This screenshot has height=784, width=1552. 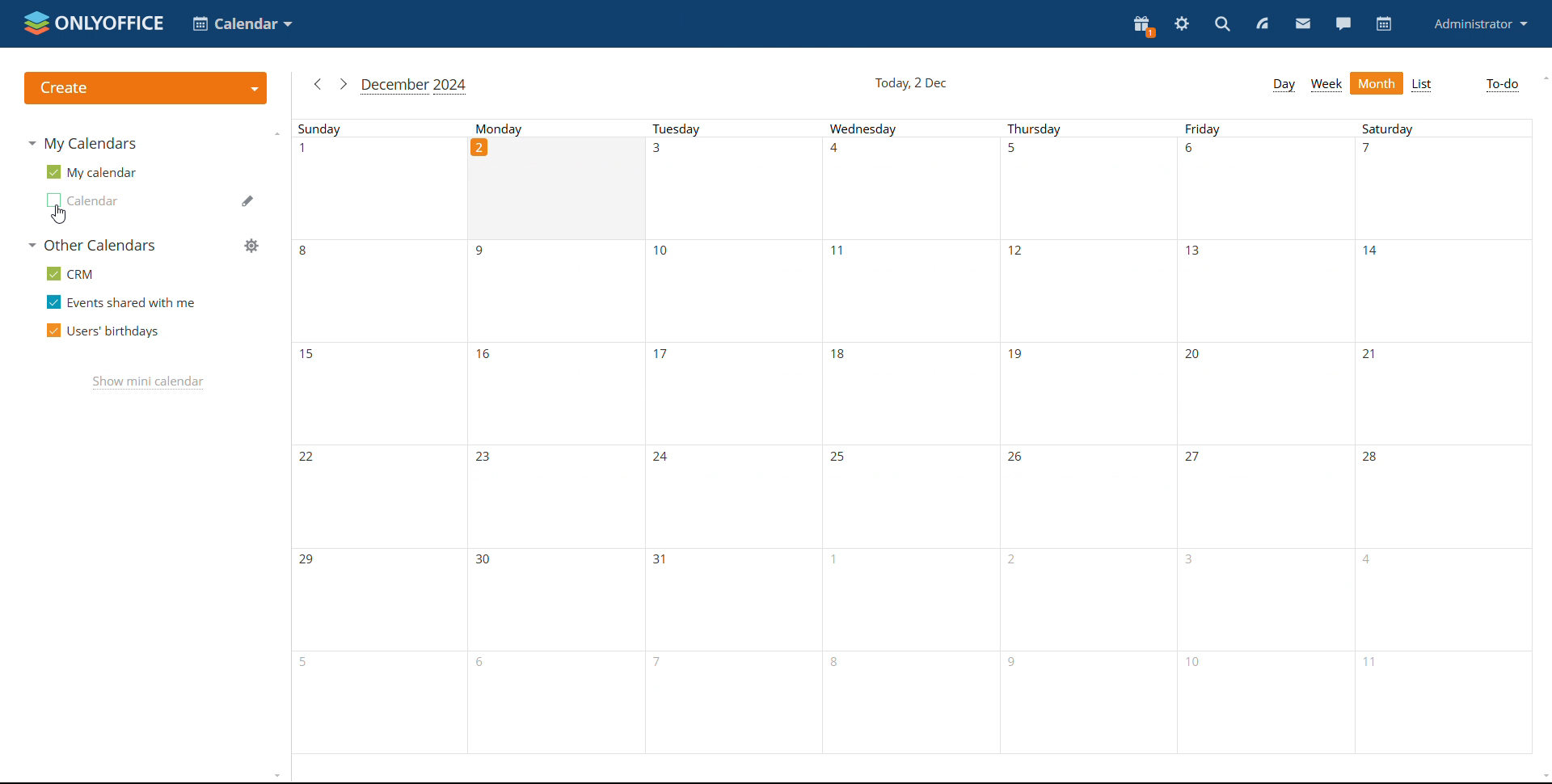 I want to click on edit, so click(x=247, y=200).